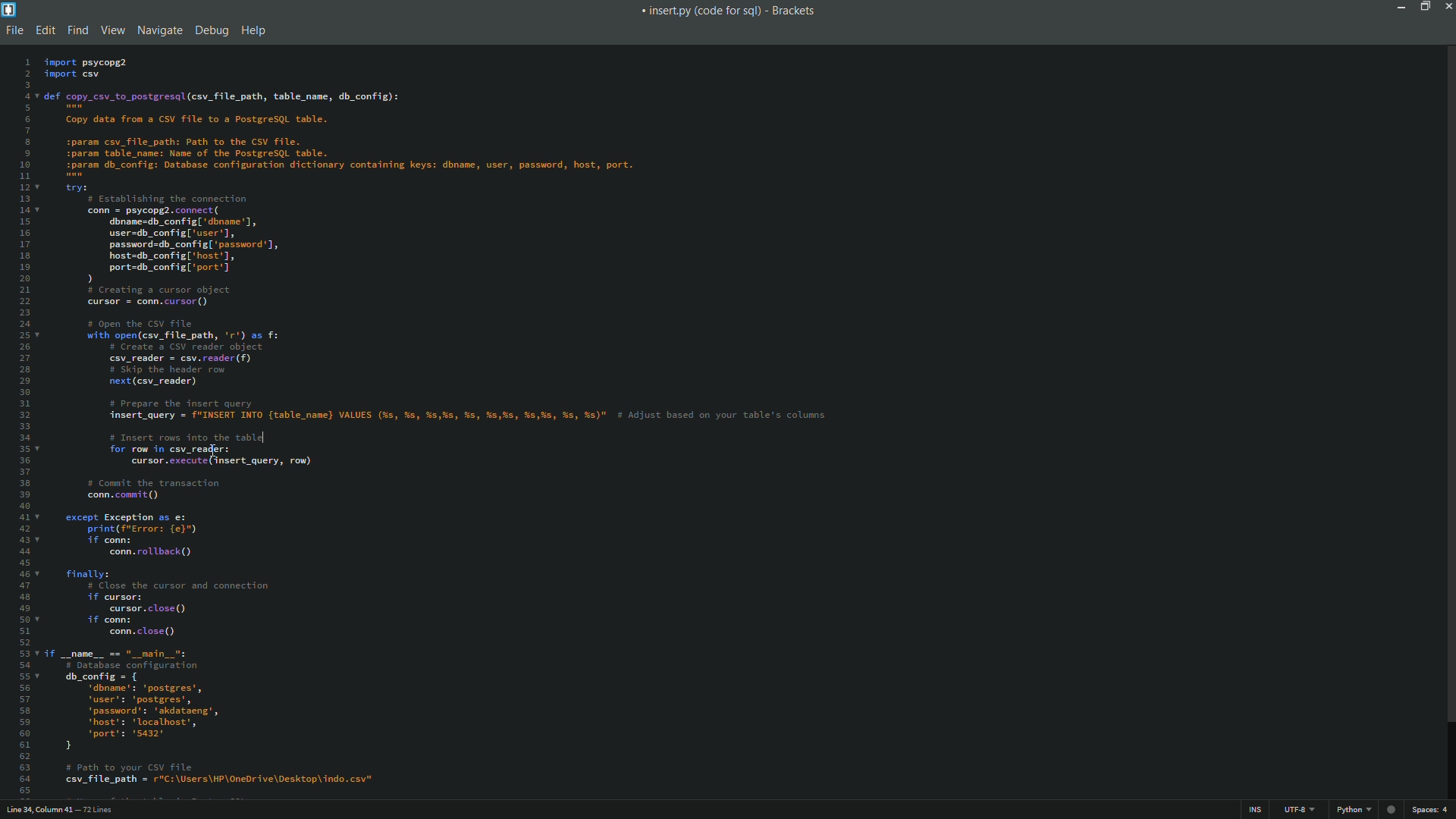  I want to click on help menu, so click(254, 32).